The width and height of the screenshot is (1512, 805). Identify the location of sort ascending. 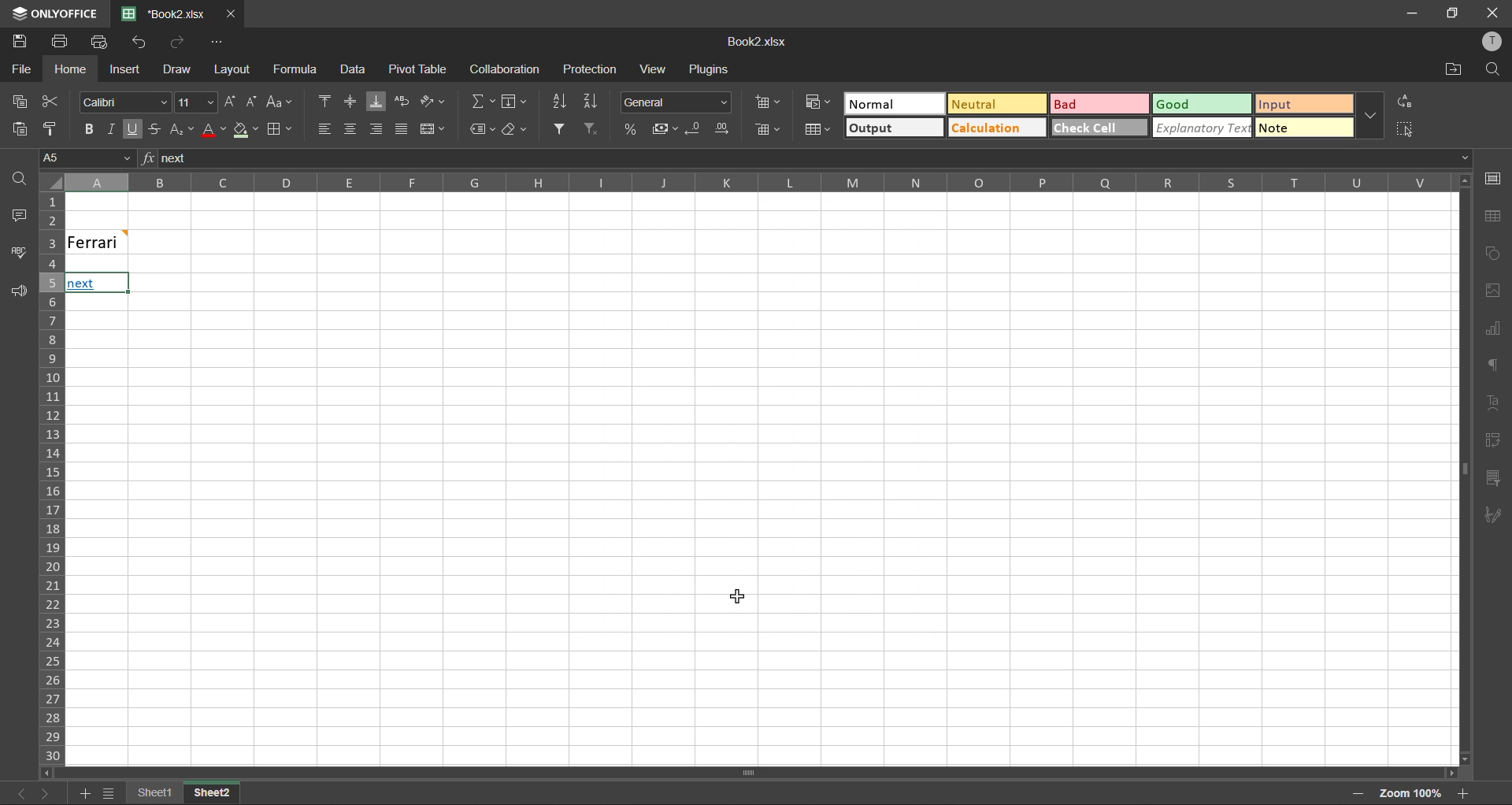
(558, 102).